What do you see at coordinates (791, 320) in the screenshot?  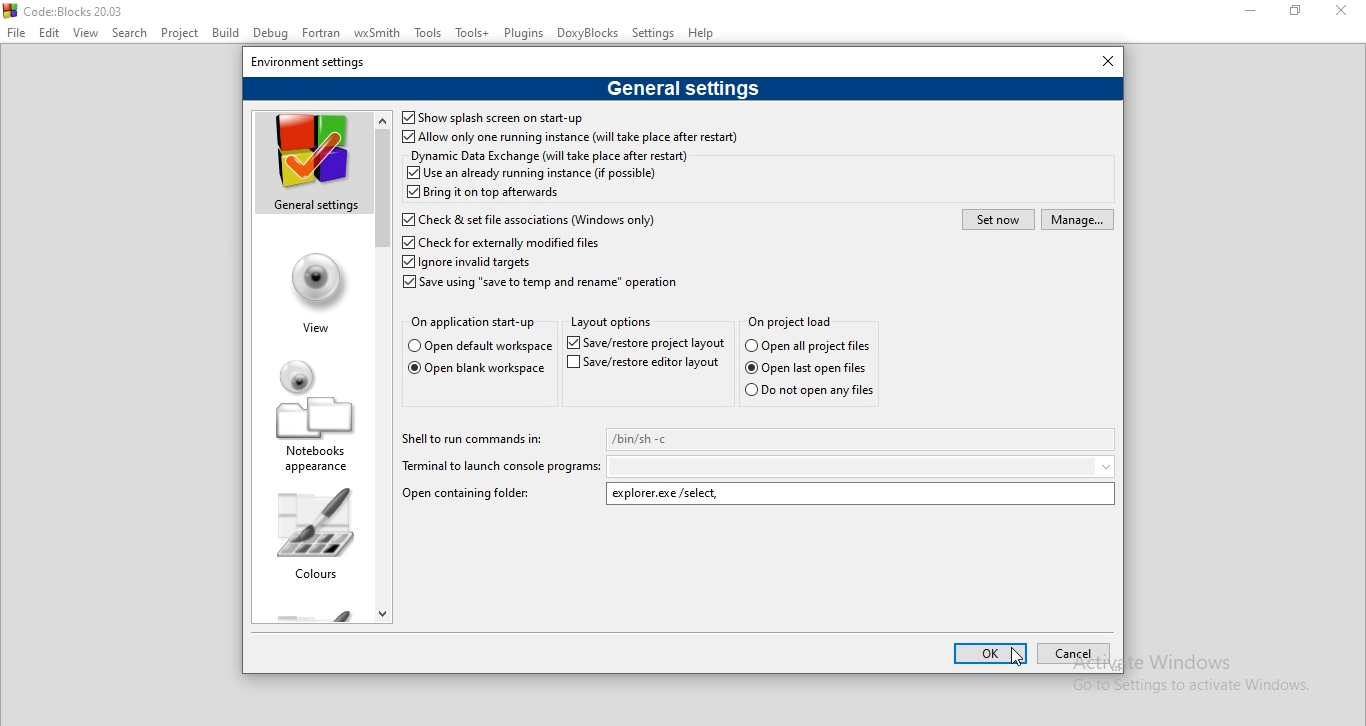 I see `On project load` at bounding box center [791, 320].